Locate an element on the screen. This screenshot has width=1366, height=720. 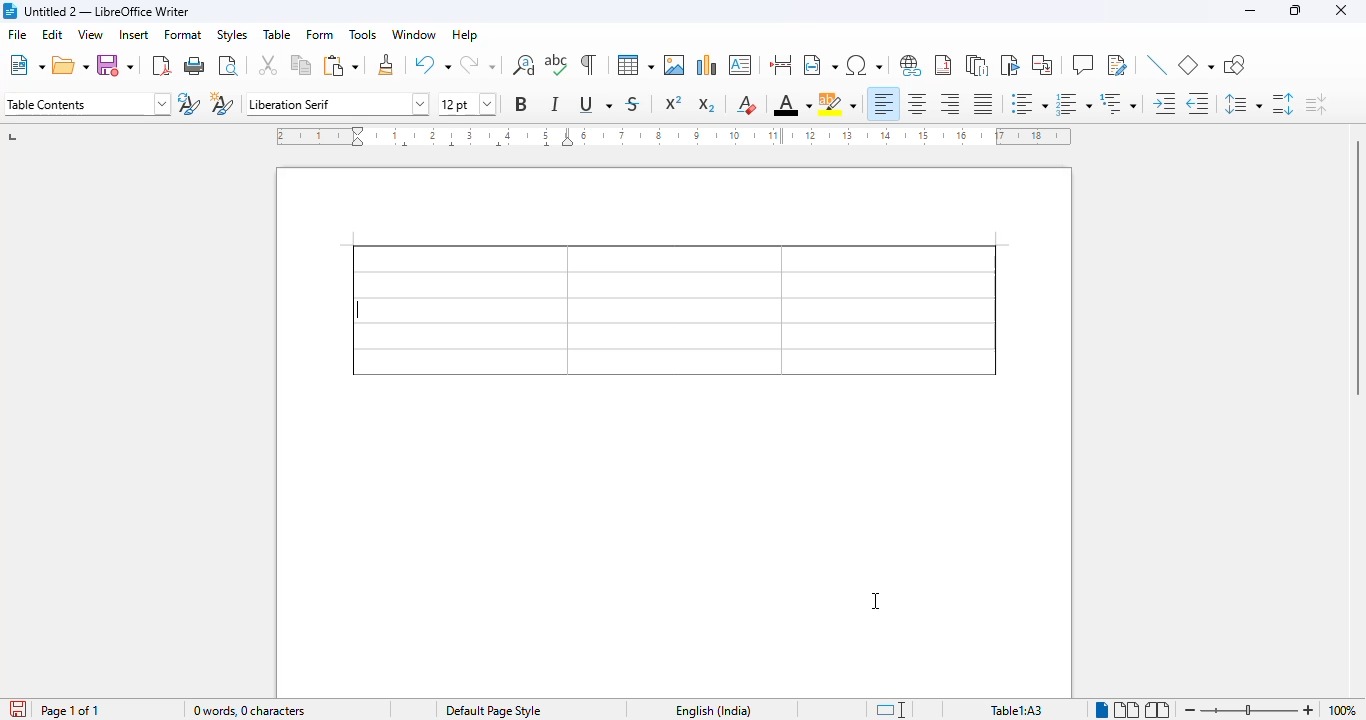
tools is located at coordinates (363, 35).